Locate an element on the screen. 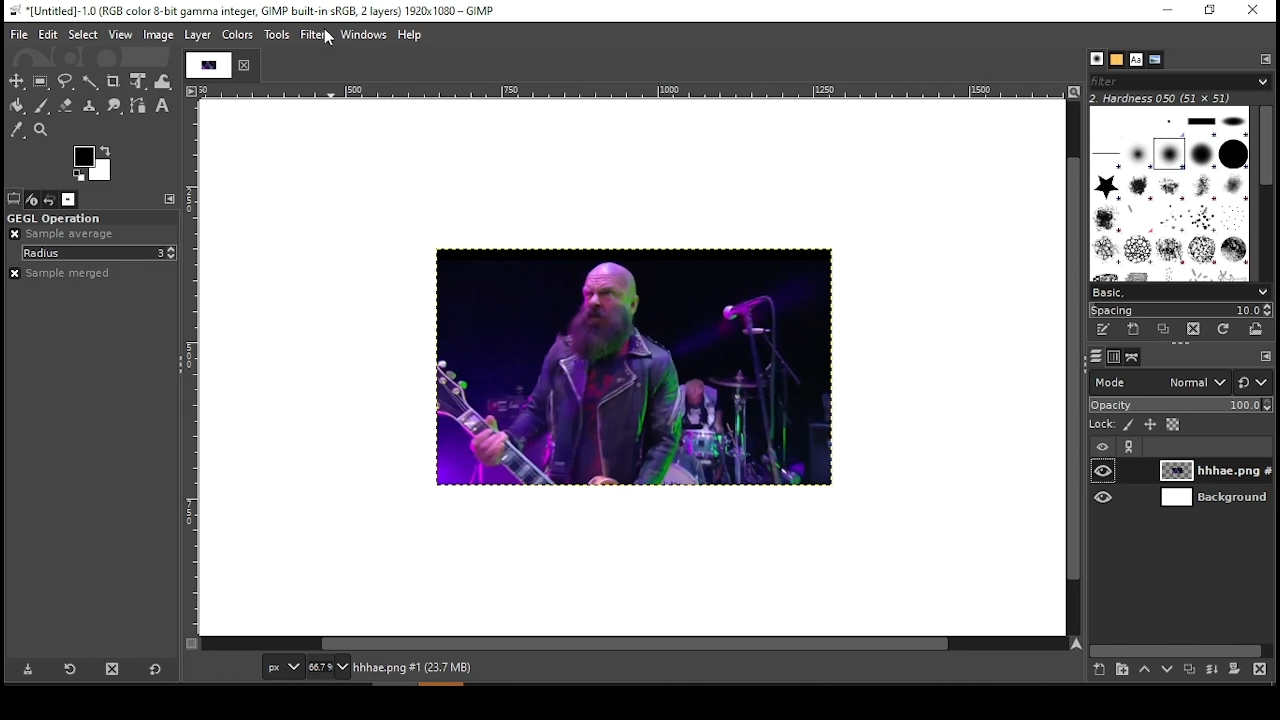 This screenshot has width=1280, height=720. layer visibility on/off is located at coordinates (1104, 496).